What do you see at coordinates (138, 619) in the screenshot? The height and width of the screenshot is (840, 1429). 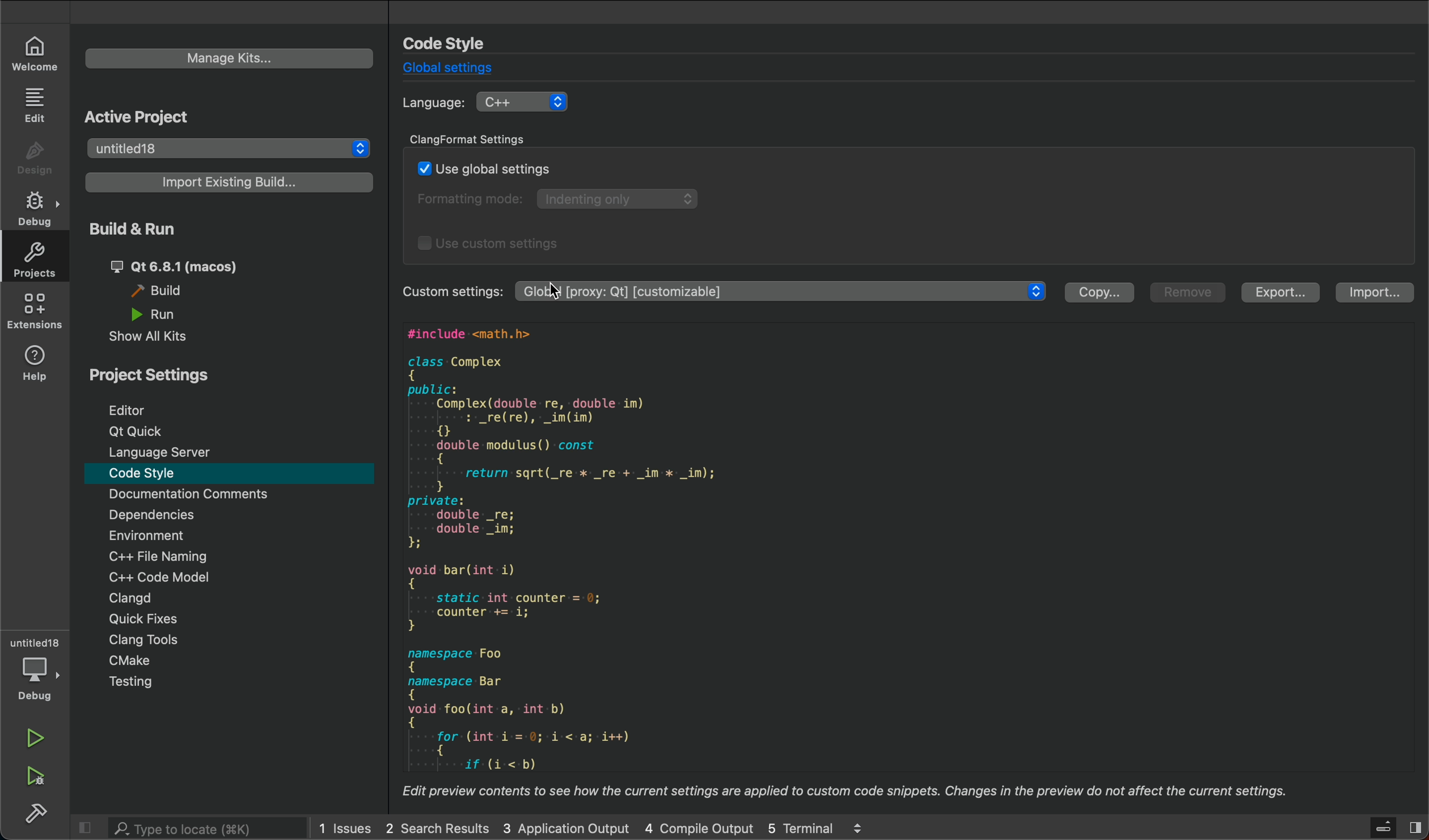 I see `quick fixes` at bounding box center [138, 619].